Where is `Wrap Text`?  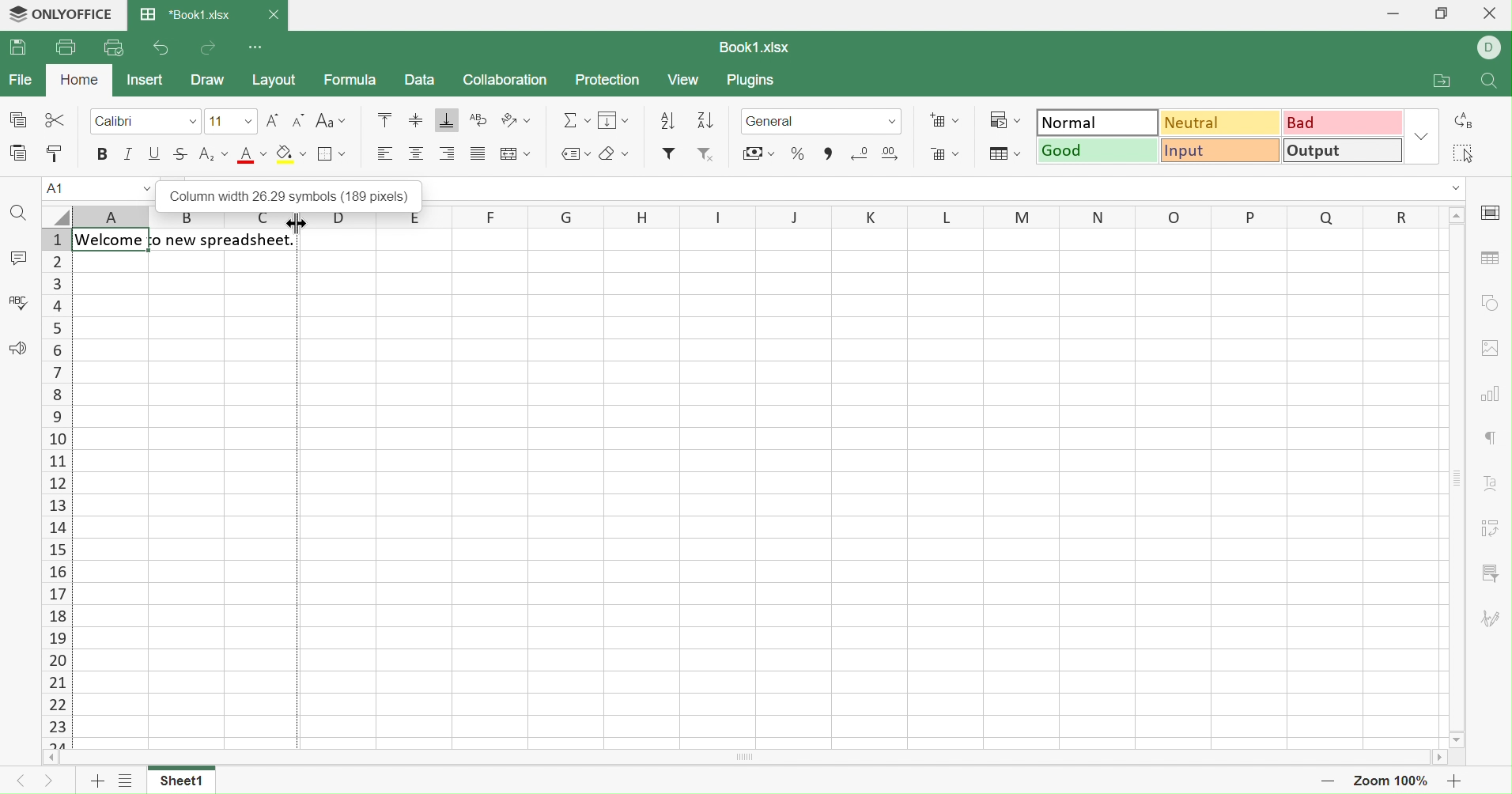 Wrap Text is located at coordinates (479, 119).